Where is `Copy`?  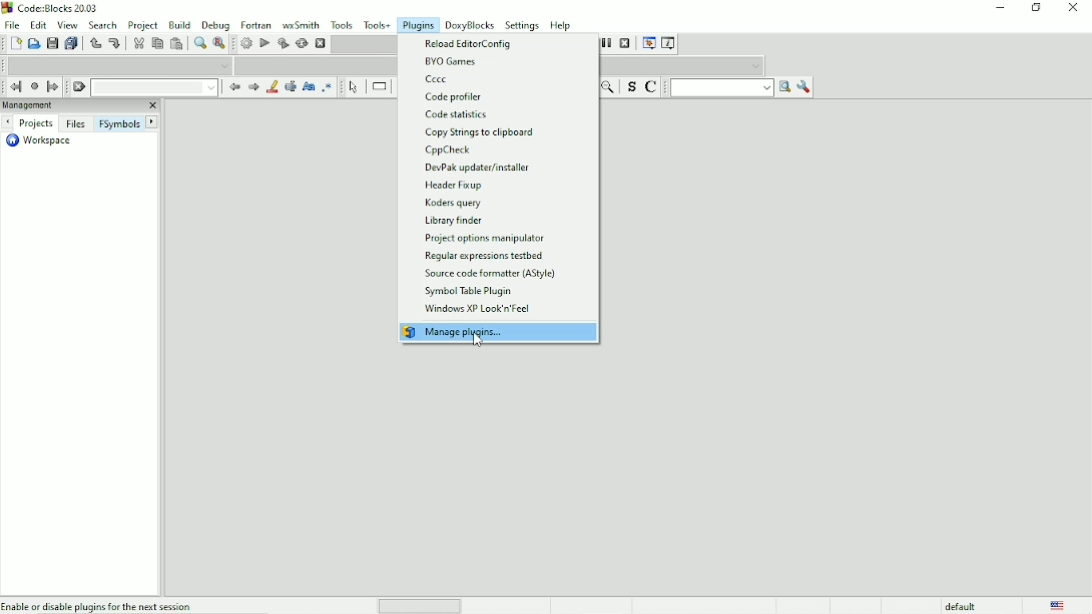
Copy is located at coordinates (157, 43).